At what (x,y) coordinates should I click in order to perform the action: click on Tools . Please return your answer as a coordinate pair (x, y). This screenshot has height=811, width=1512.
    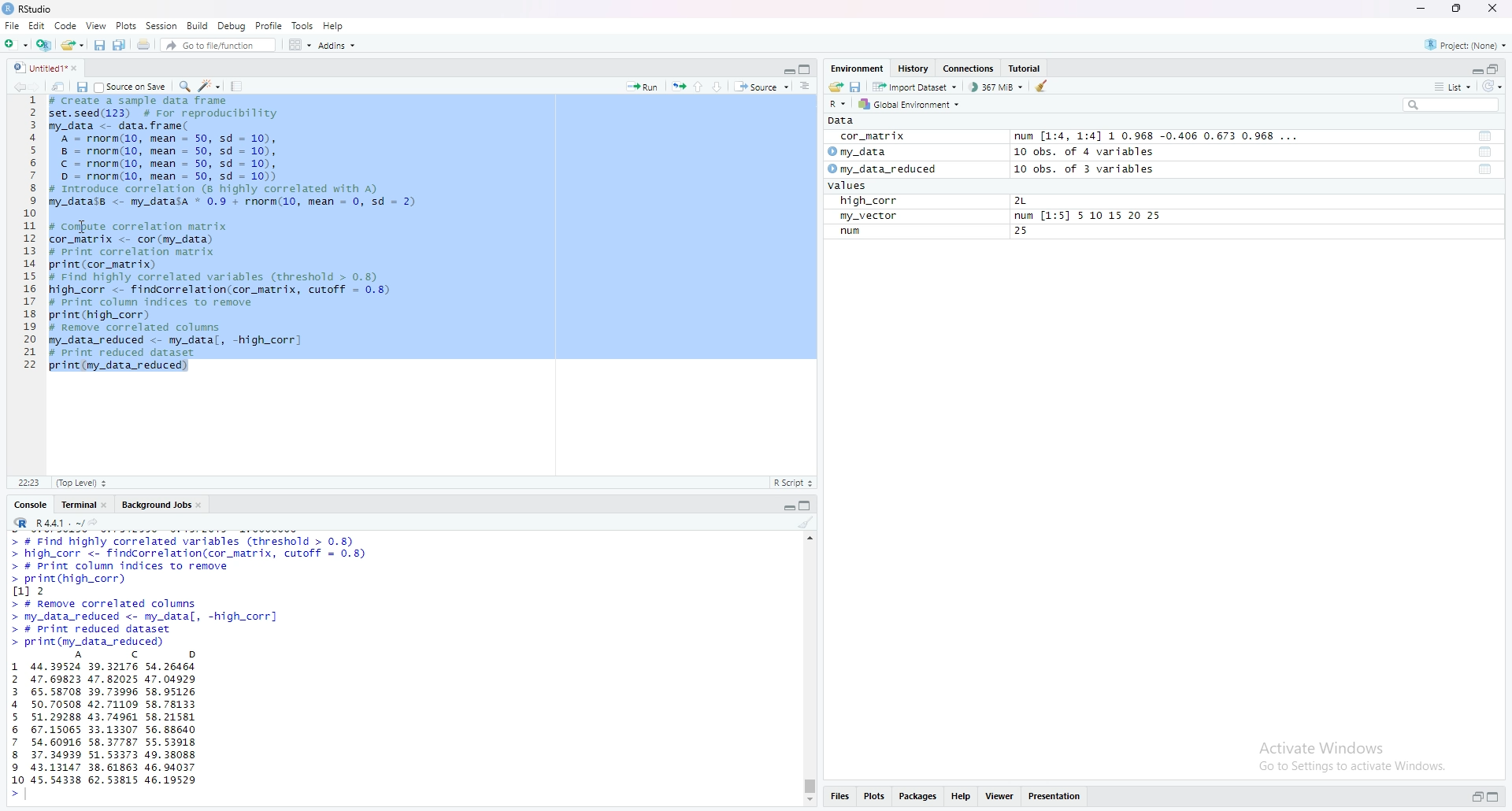
    Looking at the image, I should click on (238, 85).